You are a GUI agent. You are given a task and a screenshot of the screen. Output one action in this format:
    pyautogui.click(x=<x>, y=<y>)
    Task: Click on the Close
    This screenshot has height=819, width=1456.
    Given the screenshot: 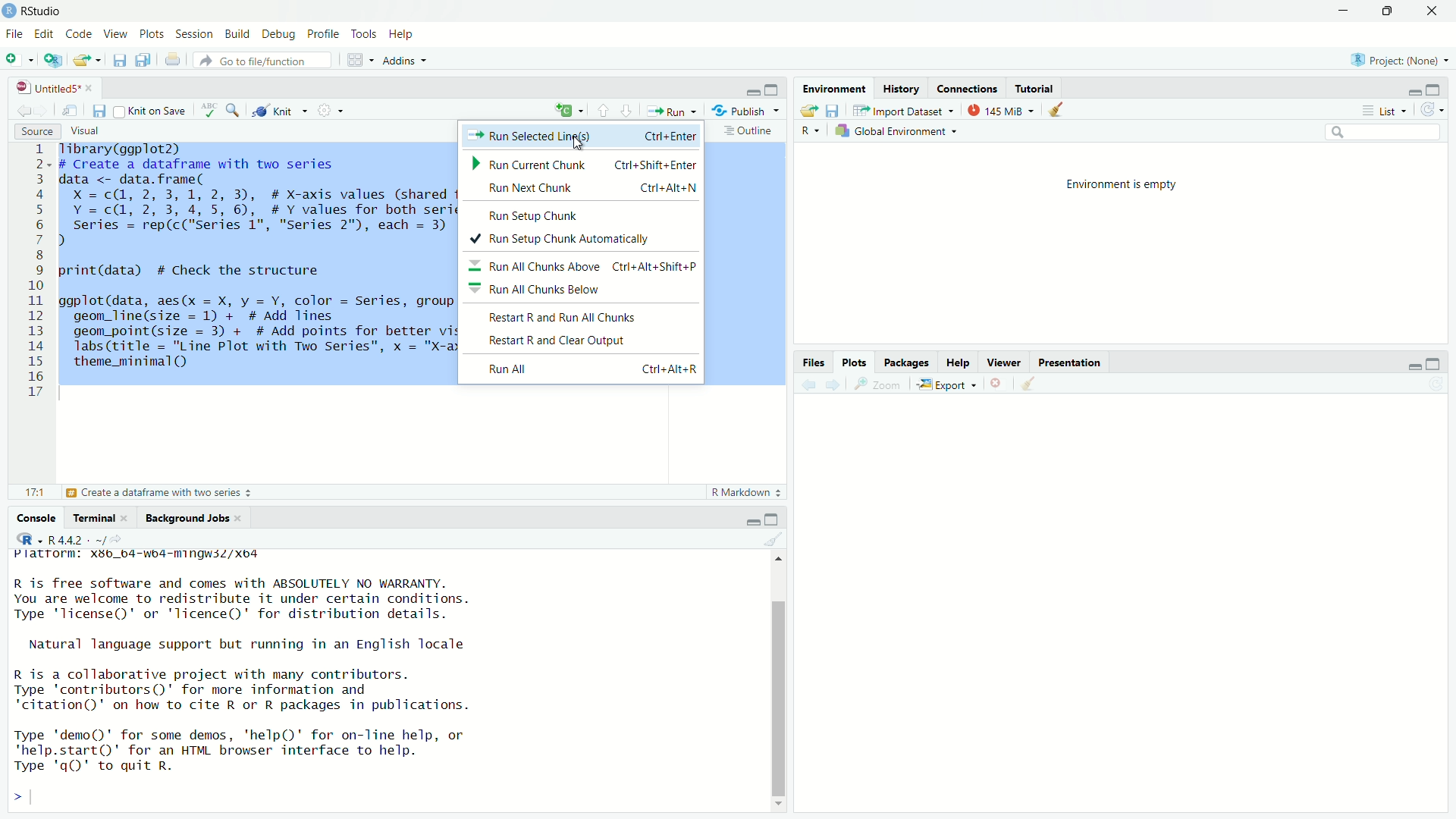 What is the action you would take?
    pyautogui.click(x=1429, y=14)
    